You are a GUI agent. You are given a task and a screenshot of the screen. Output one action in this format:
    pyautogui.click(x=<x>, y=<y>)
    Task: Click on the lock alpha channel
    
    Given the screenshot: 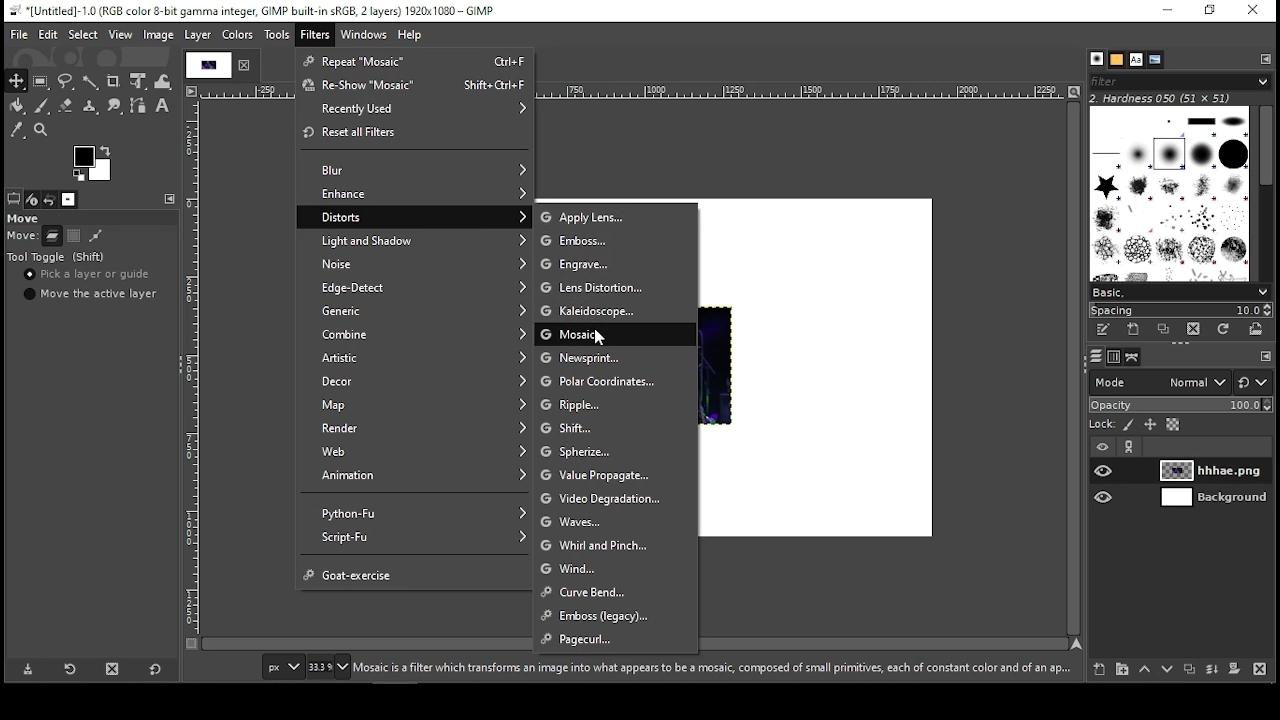 What is the action you would take?
    pyautogui.click(x=1174, y=425)
    